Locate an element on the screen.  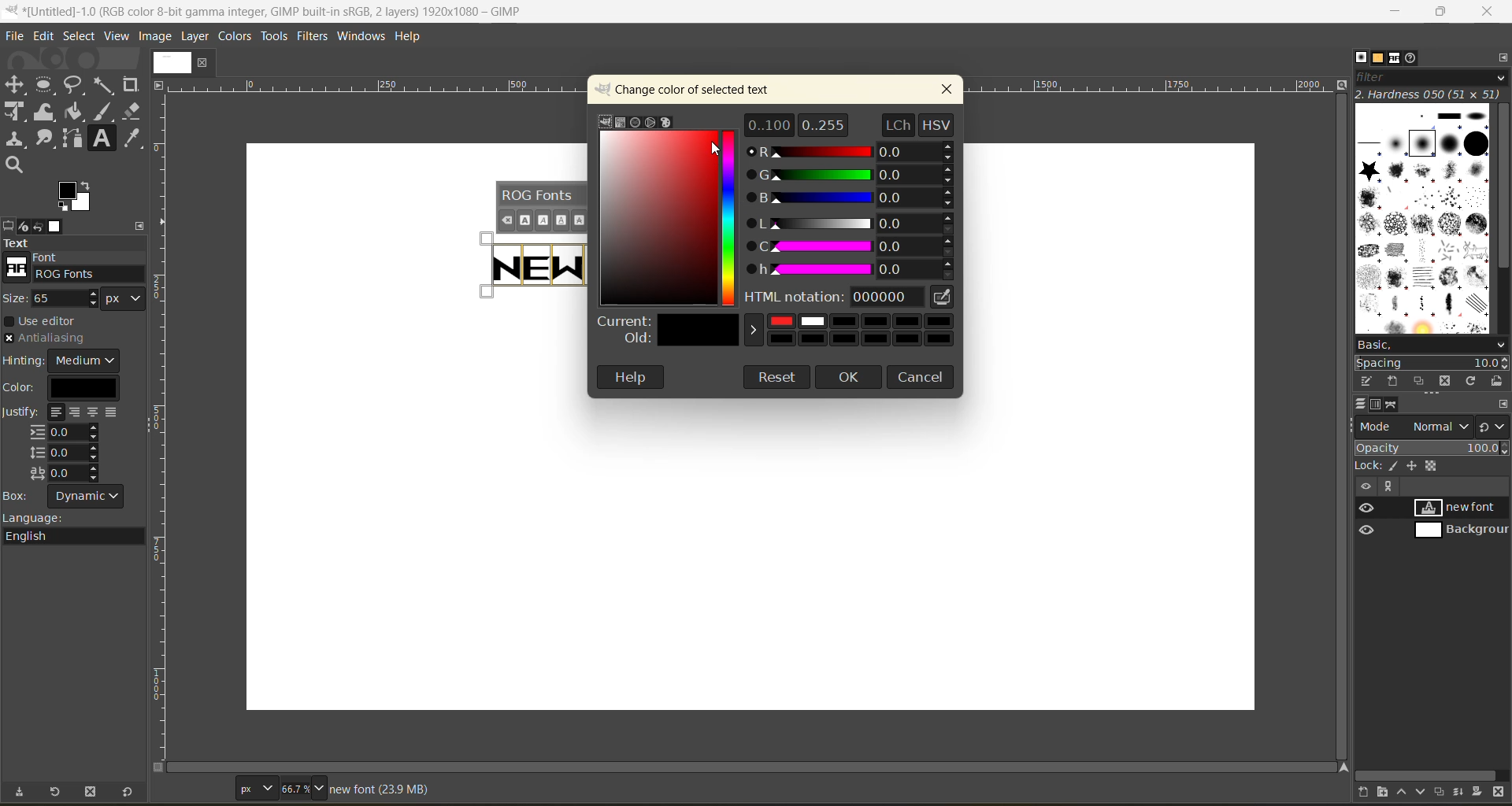
horizontal scroll bar is located at coordinates (759, 767).